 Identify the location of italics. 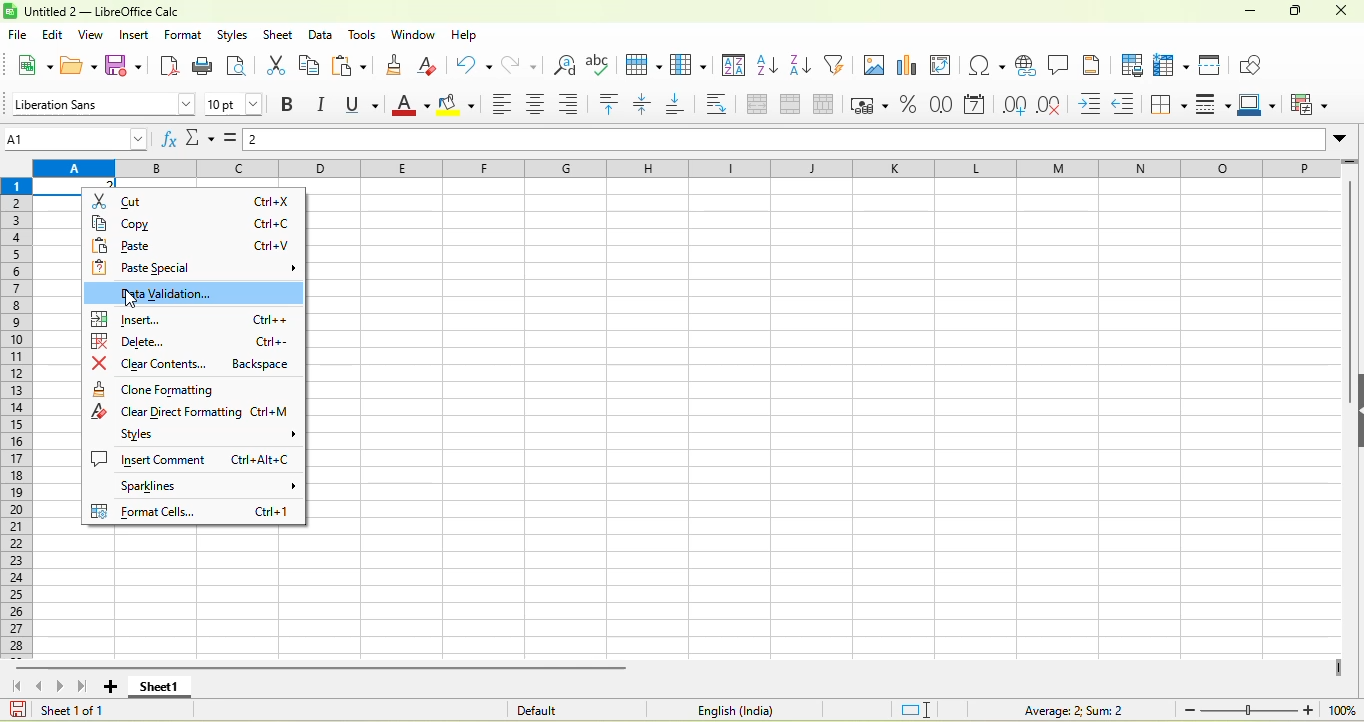
(324, 106).